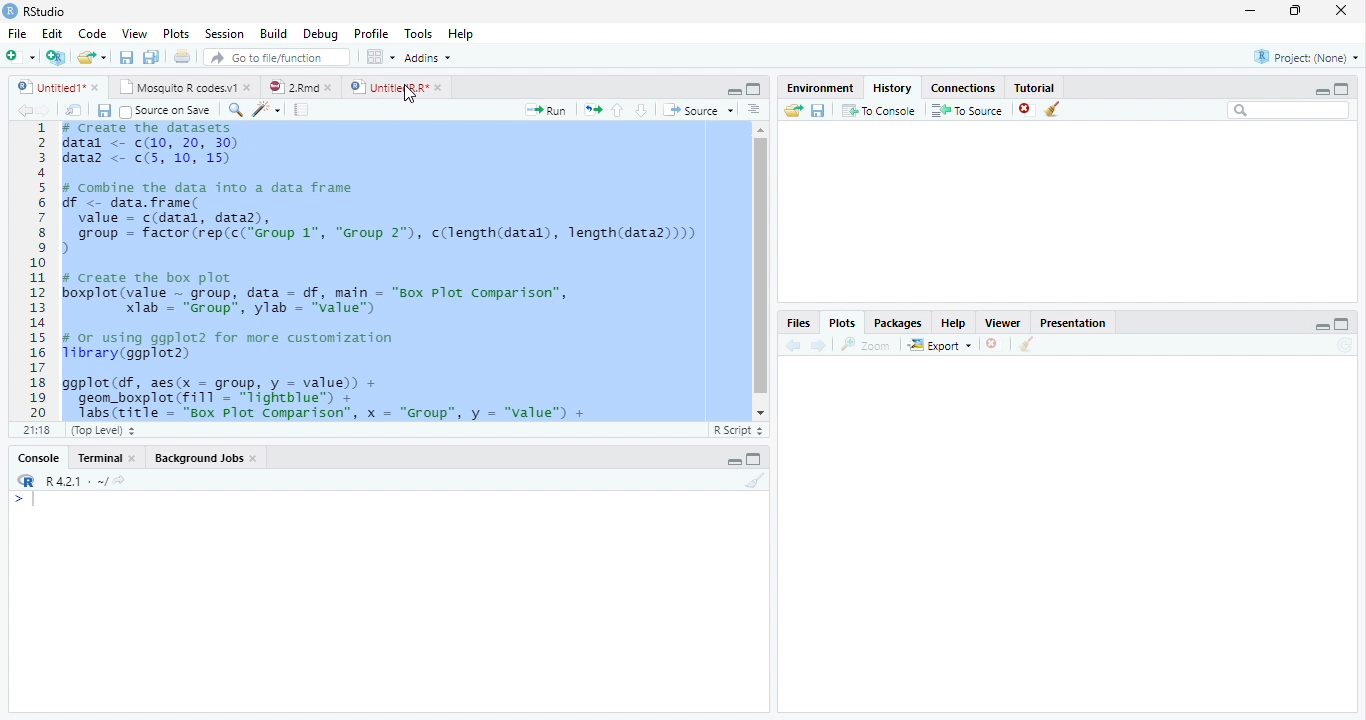 The image size is (1366, 720). What do you see at coordinates (254, 458) in the screenshot?
I see `close` at bounding box center [254, 458].